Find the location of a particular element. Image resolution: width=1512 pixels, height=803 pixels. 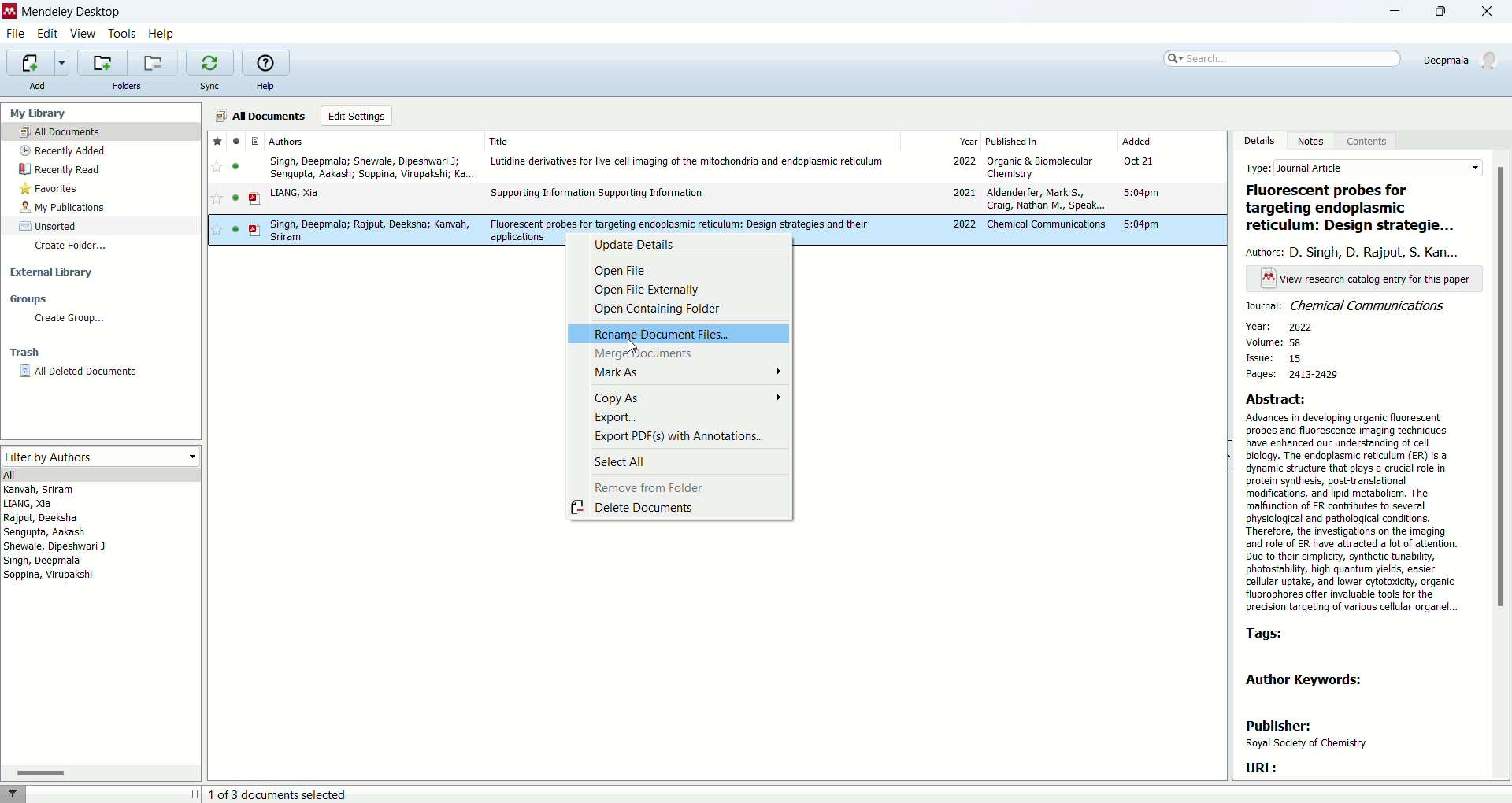

all document is located at coordinates (102, 131).